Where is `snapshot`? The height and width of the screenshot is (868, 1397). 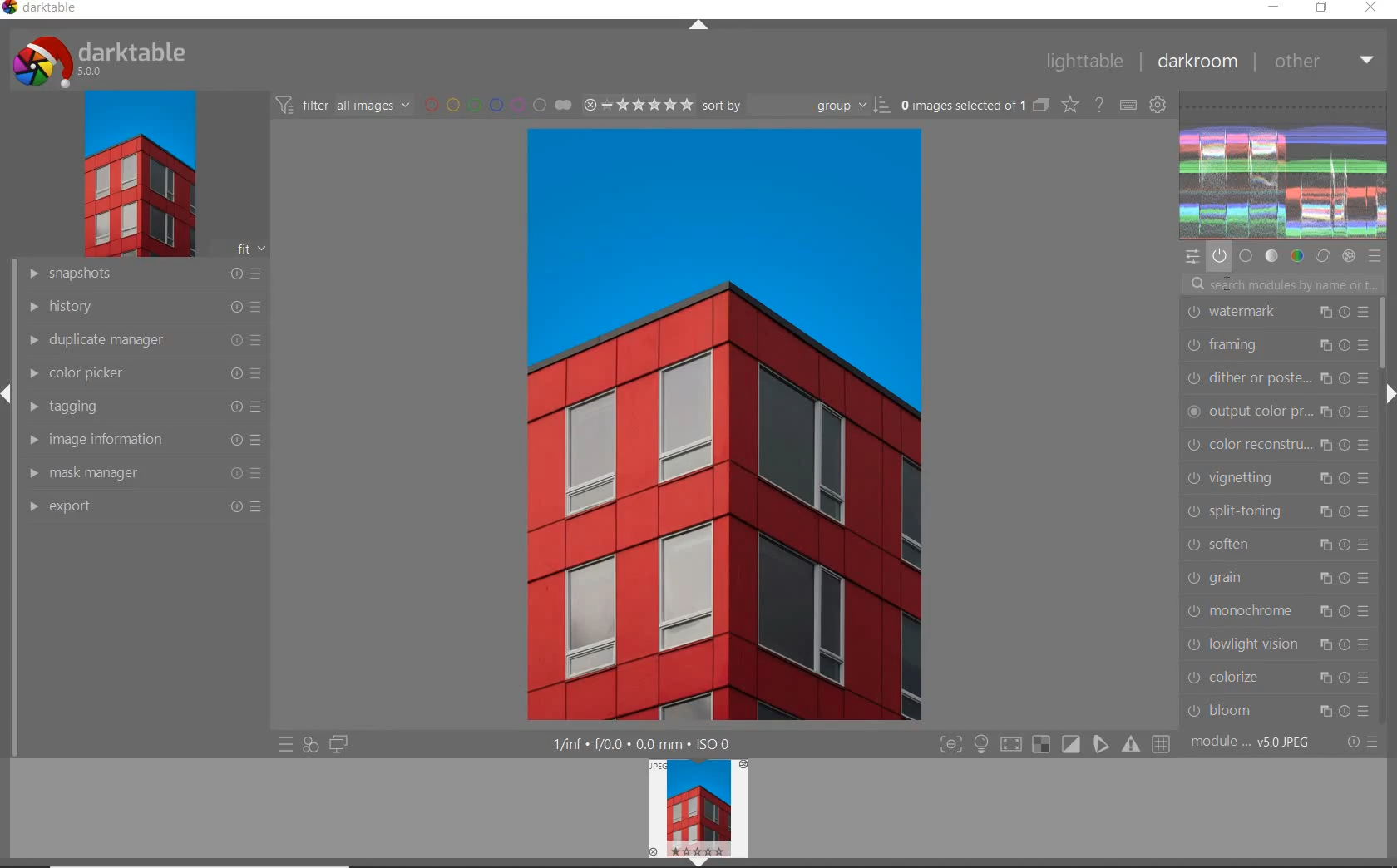
snapshot is located at coordinates (146, 274).